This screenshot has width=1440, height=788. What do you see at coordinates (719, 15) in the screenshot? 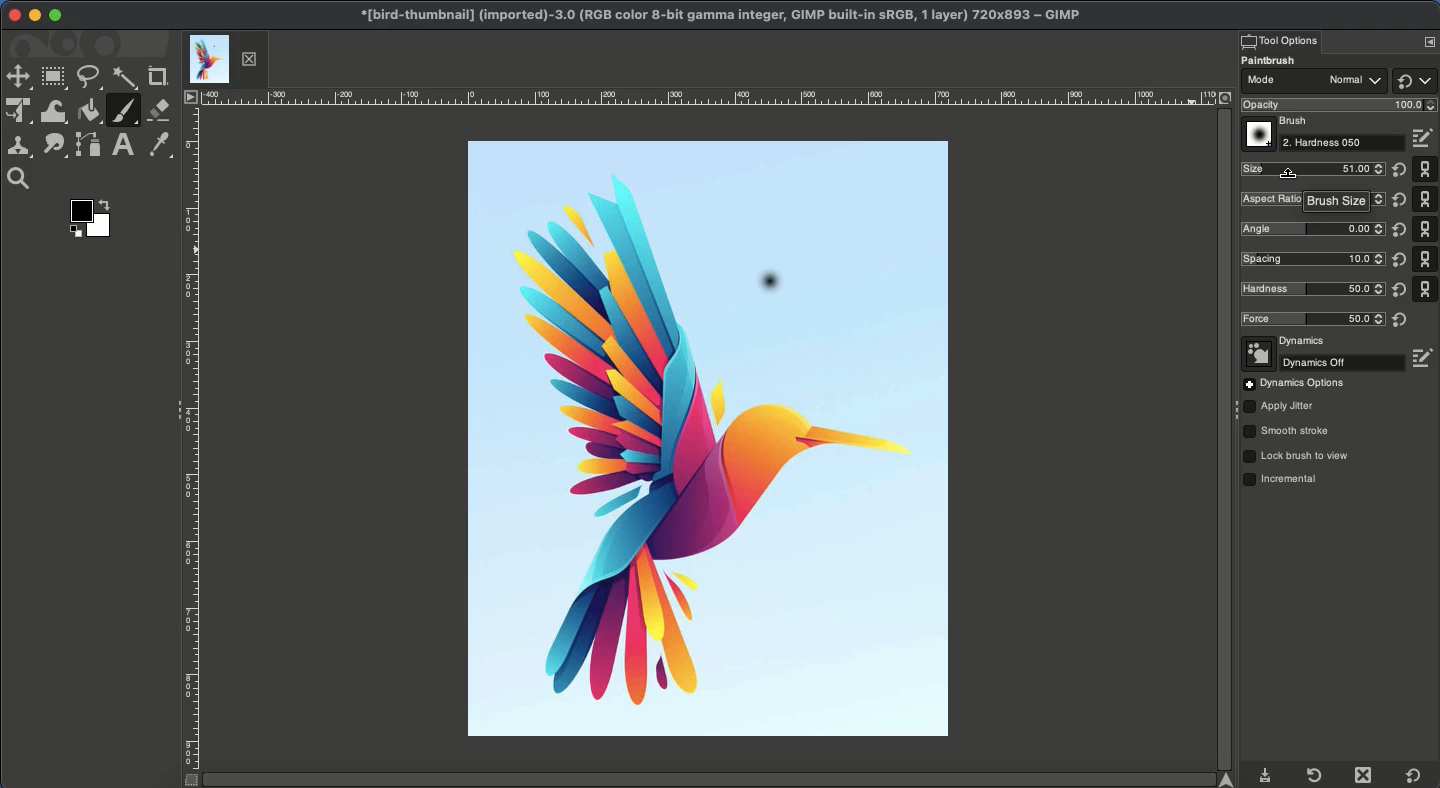
I see `GIMP project` at bounding box center [719, 15].